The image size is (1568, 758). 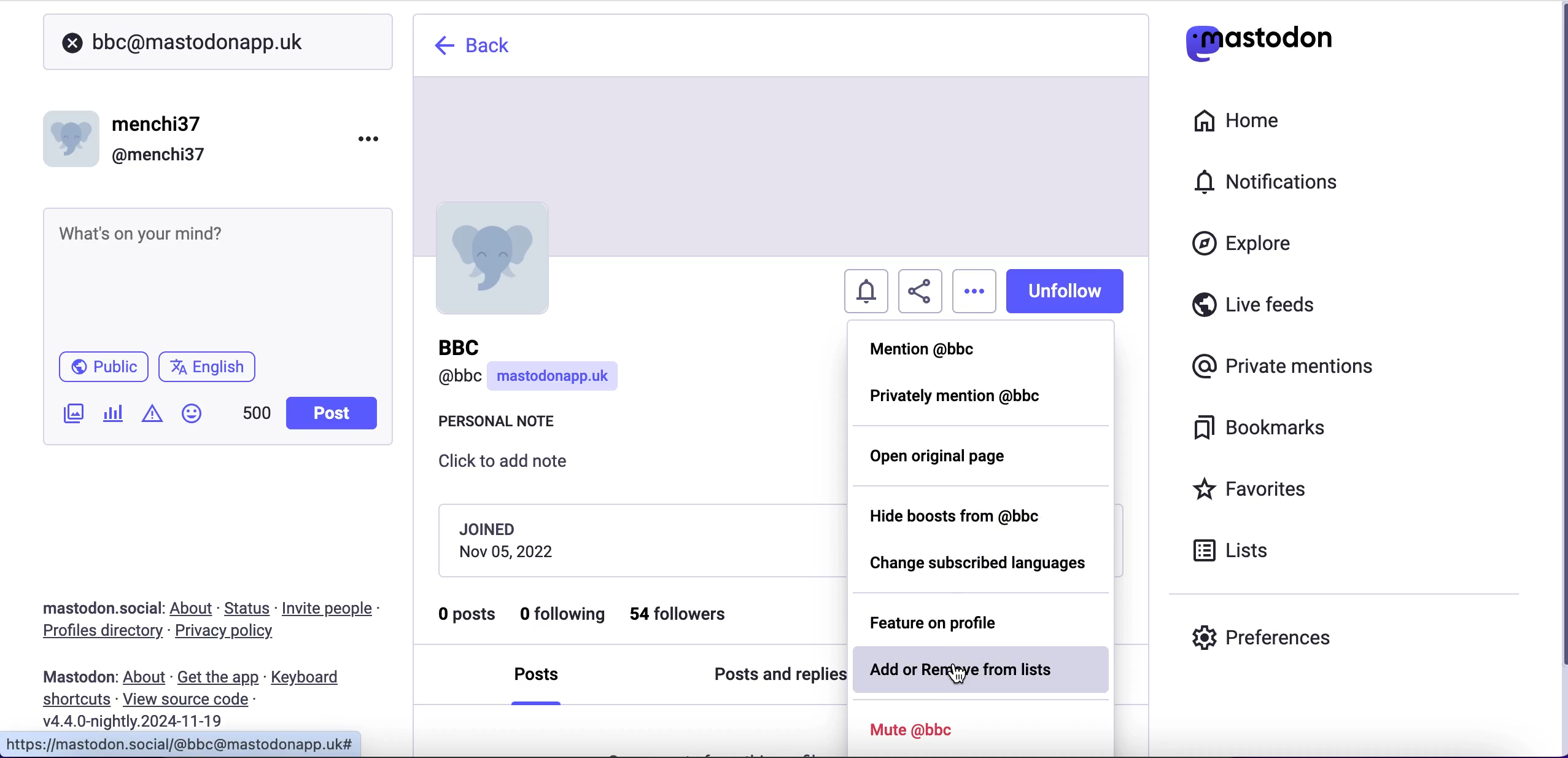 What do you see at coordinates (1254, 309) in the screenshot?
I see `live feeds` at bounding box center [1254, 309].